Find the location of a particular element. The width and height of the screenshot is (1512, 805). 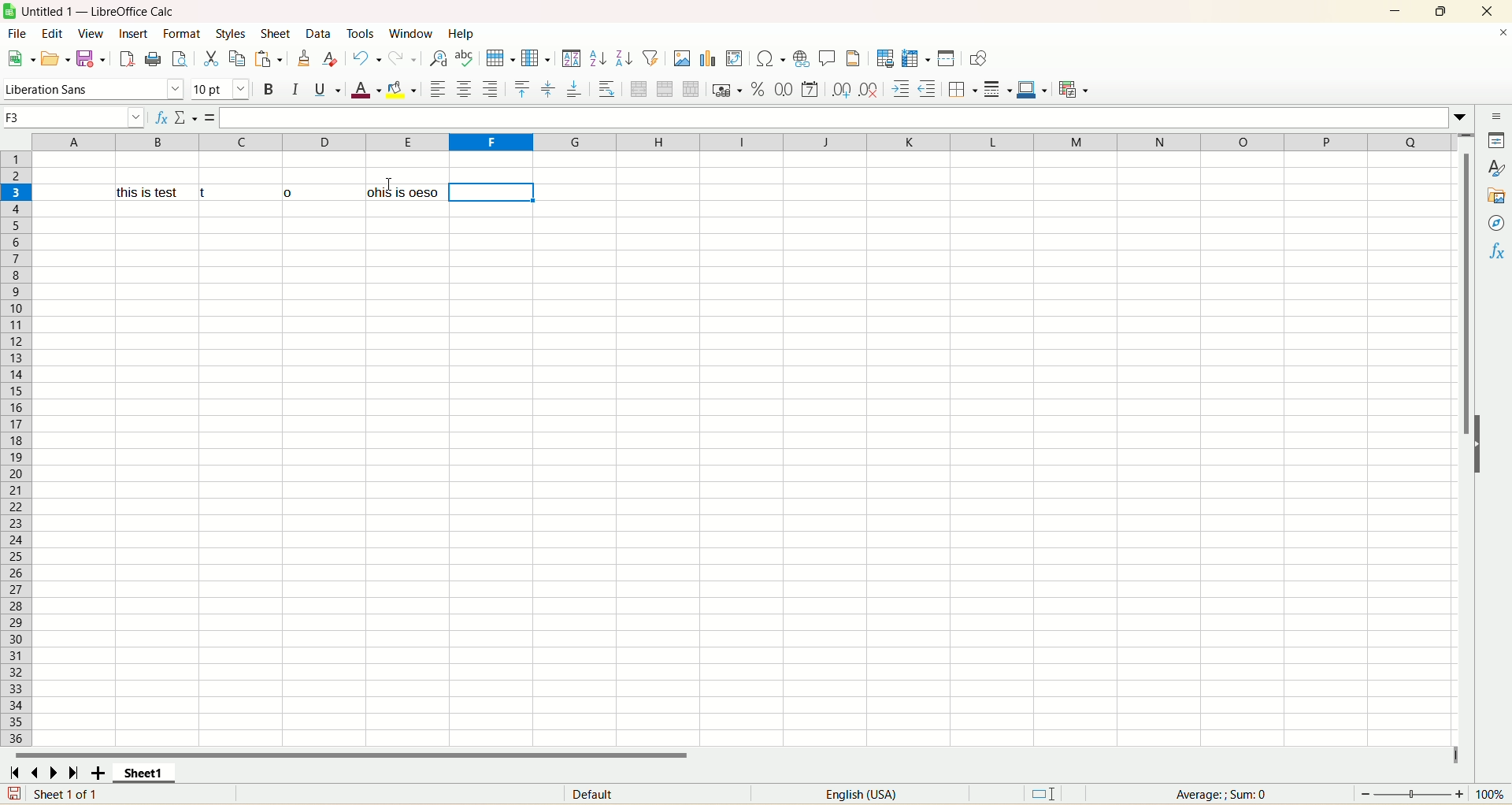

select function is located at coordinates (186, 120).